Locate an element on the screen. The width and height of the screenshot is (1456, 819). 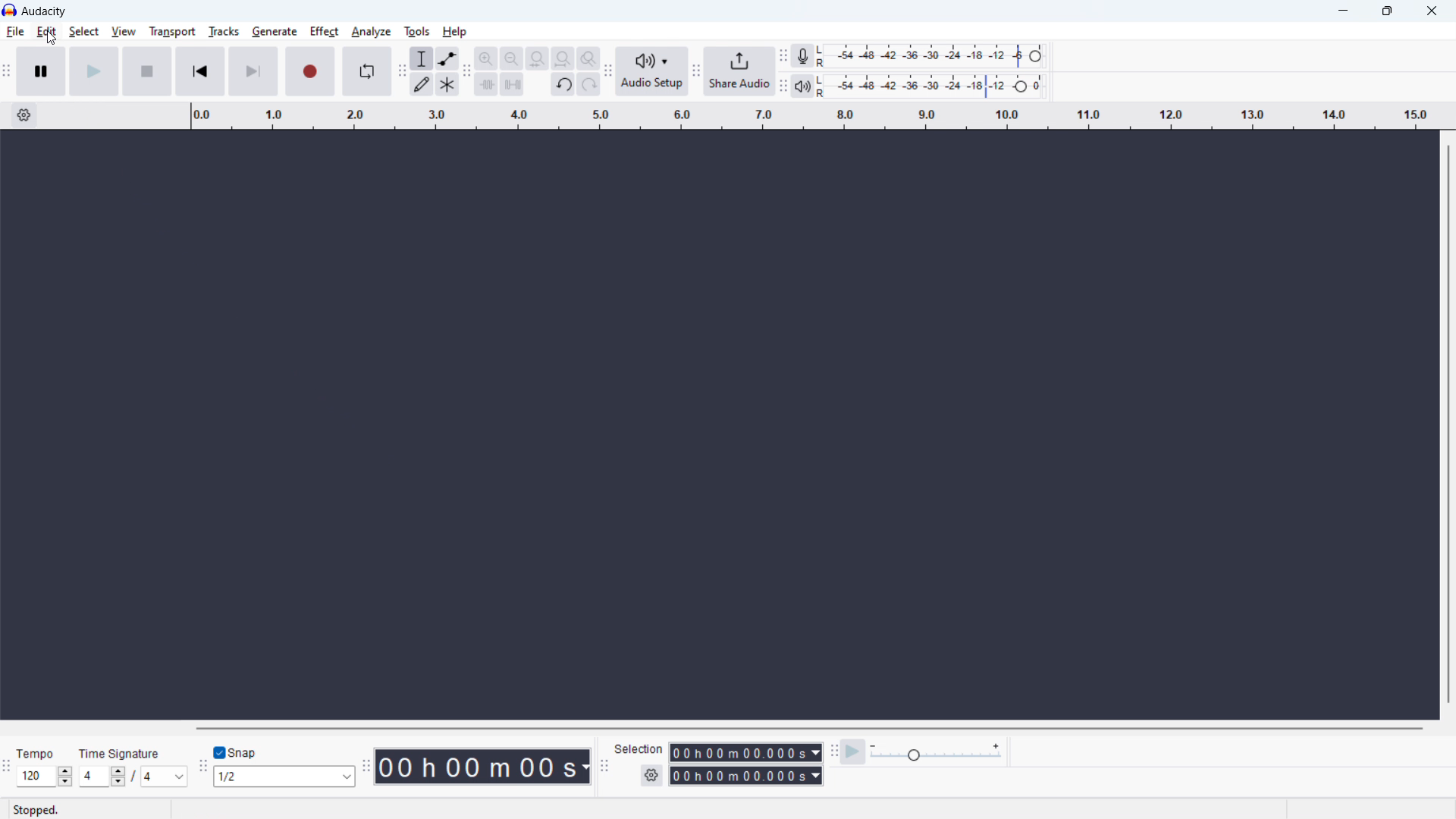
timestamp is located at coordinates (482, 767).